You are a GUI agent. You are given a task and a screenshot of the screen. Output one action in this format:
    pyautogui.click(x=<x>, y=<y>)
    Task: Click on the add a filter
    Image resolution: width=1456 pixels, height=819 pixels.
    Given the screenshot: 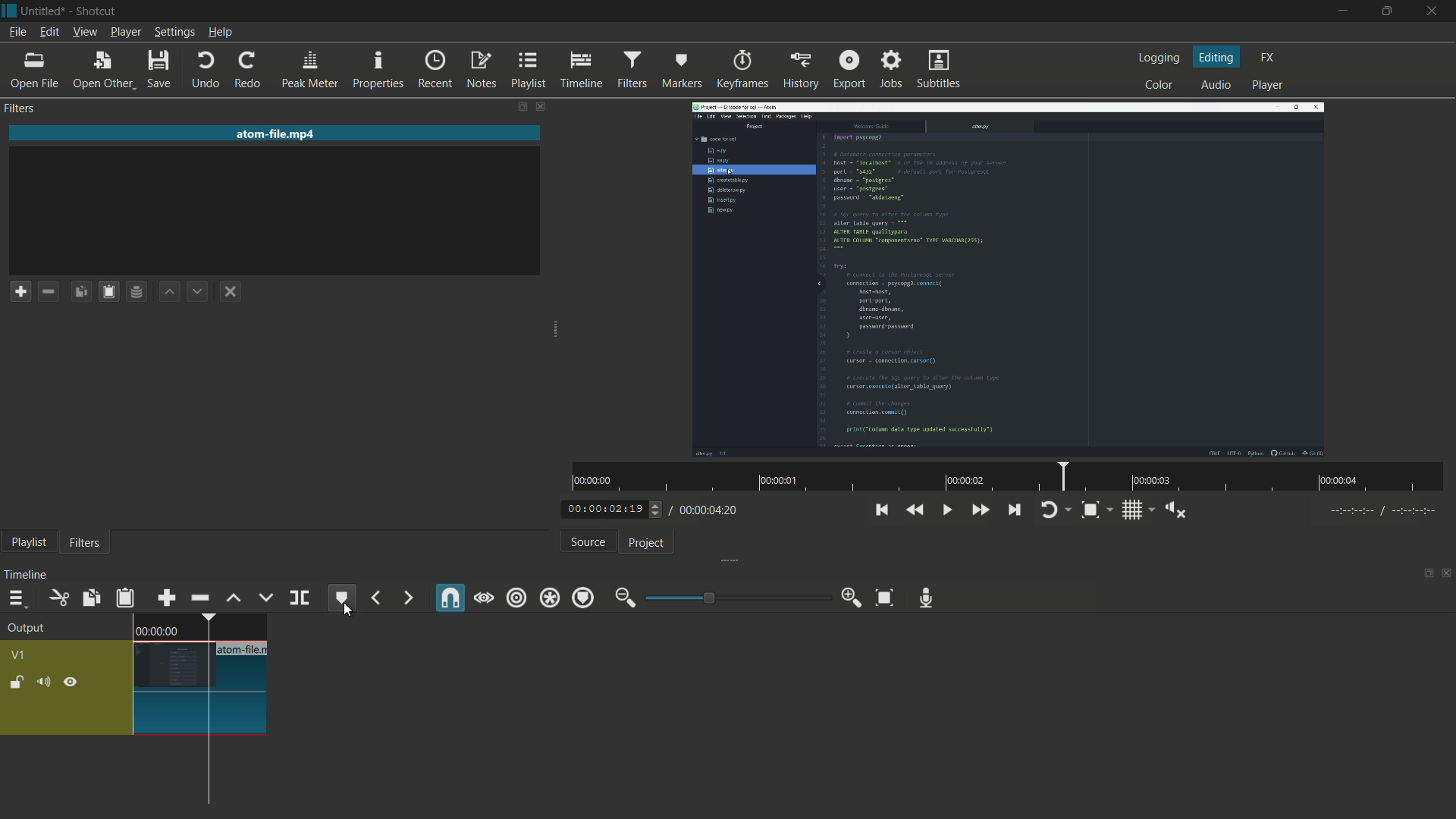 What is the action you would take?
    pyautogui.click(x=20, y=291)
    